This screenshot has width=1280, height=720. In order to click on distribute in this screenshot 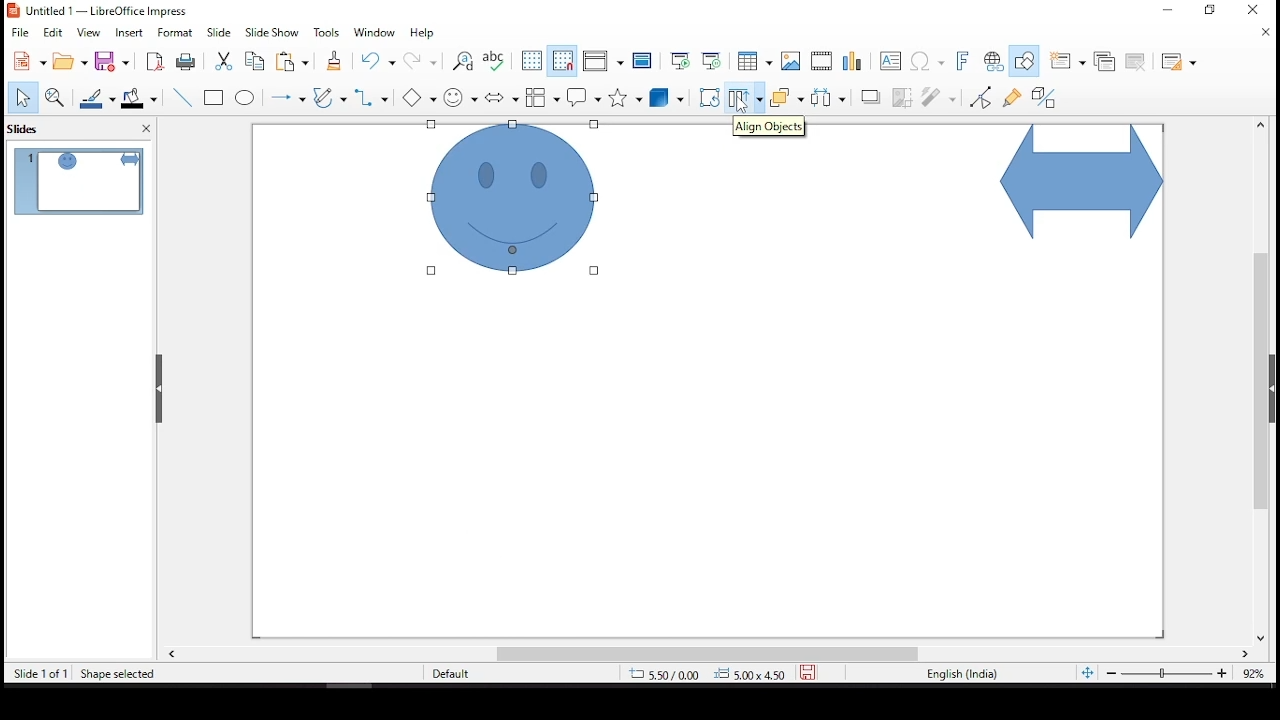, I will do `click(824, 96)`.